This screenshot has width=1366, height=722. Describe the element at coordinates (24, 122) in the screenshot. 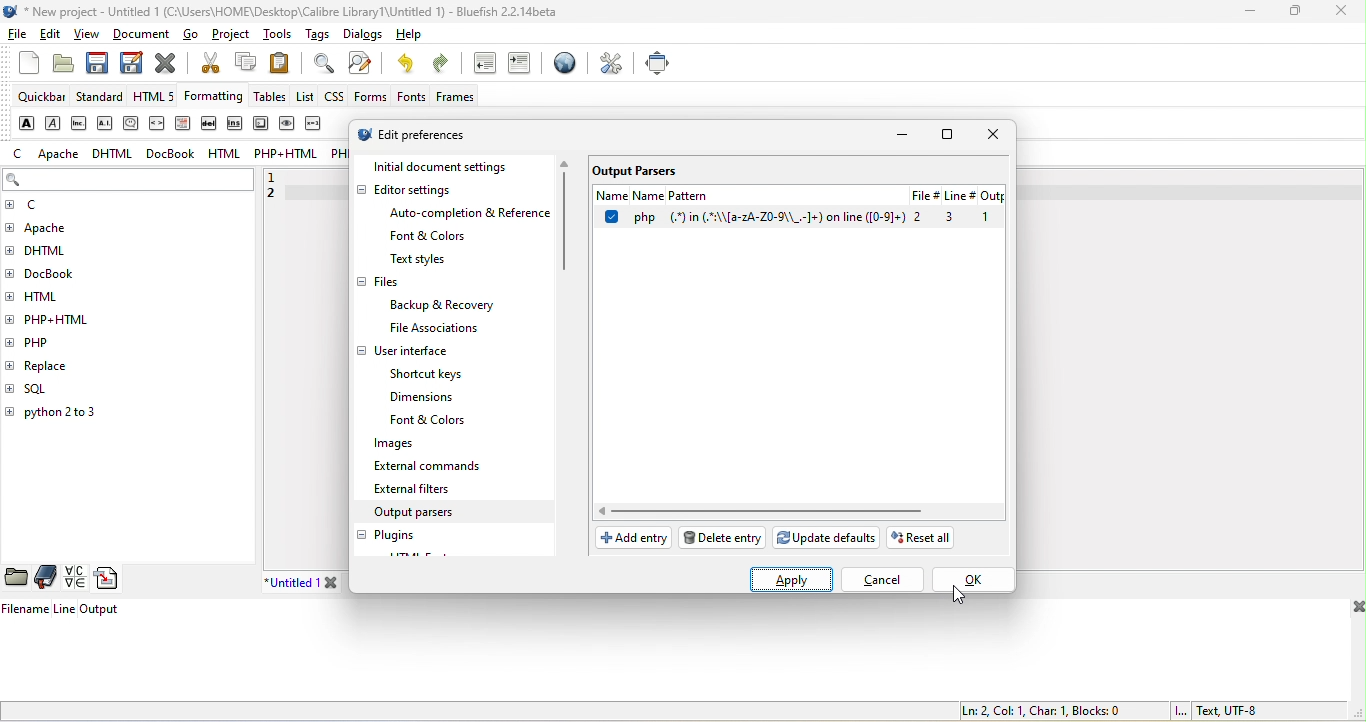

I see `strong` at that location.